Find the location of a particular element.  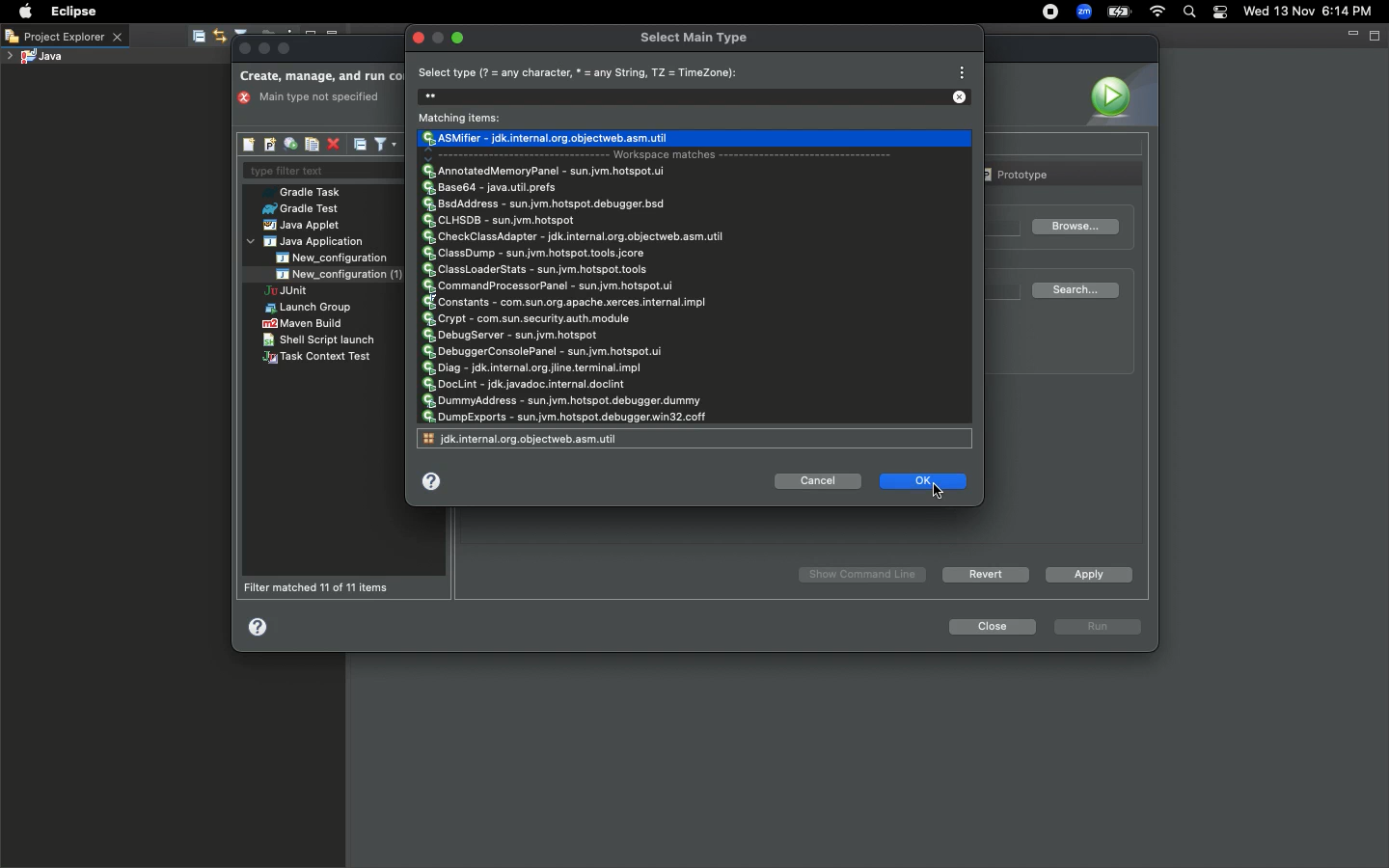

New_configuration (1) is located at coordinates (337, 274).